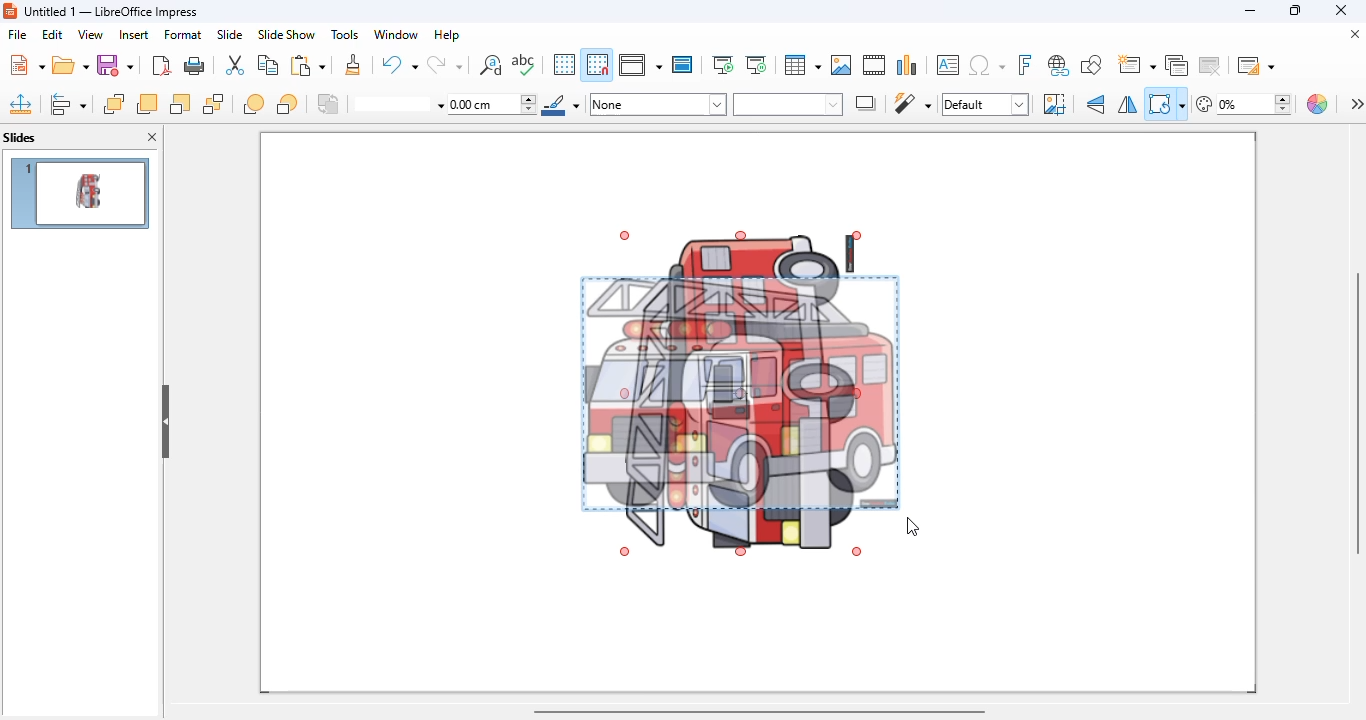  I want to click on send to back, so click(214, 104).